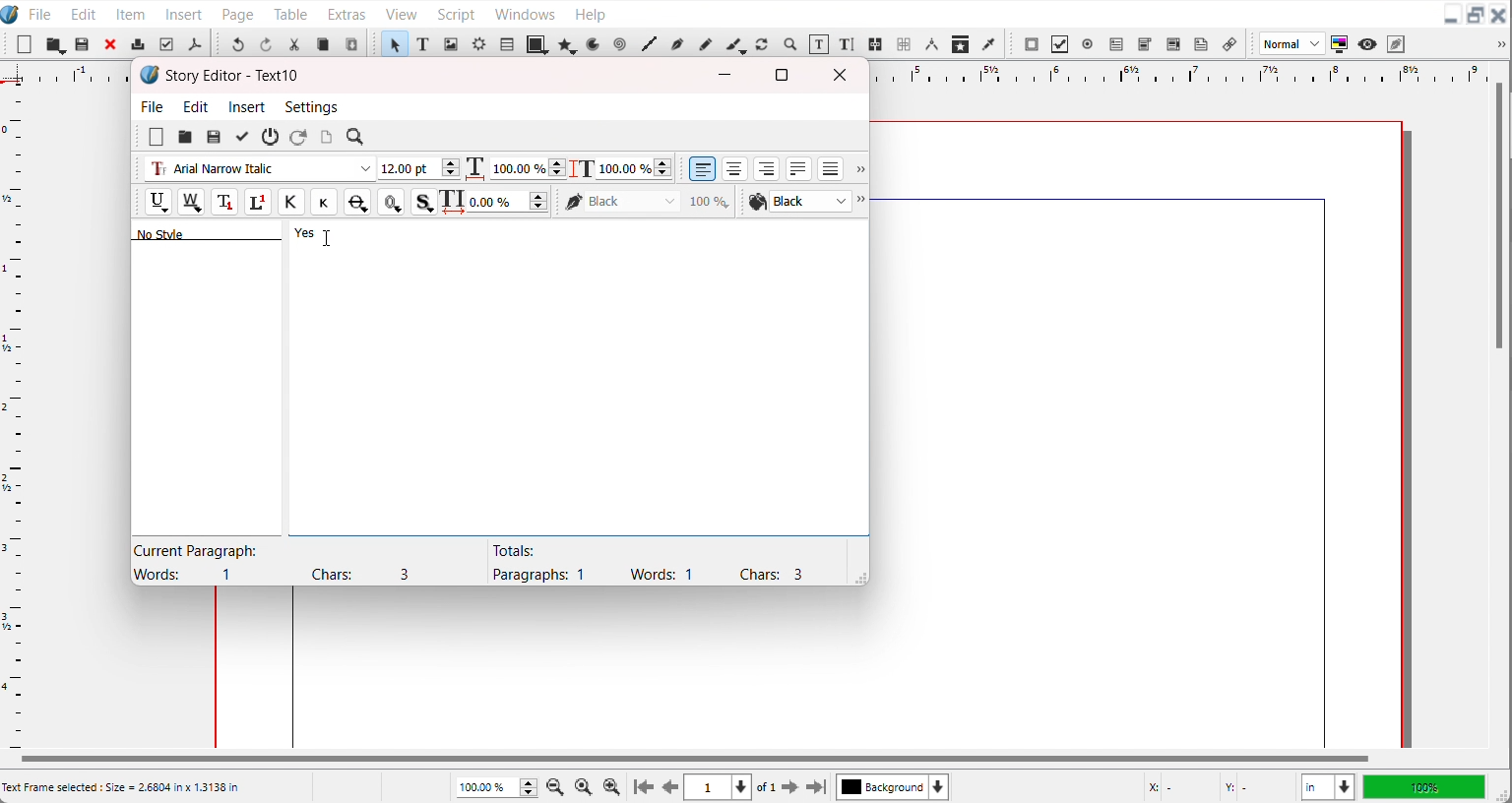  I want to click on Copy item Properties, so click(961, 43).